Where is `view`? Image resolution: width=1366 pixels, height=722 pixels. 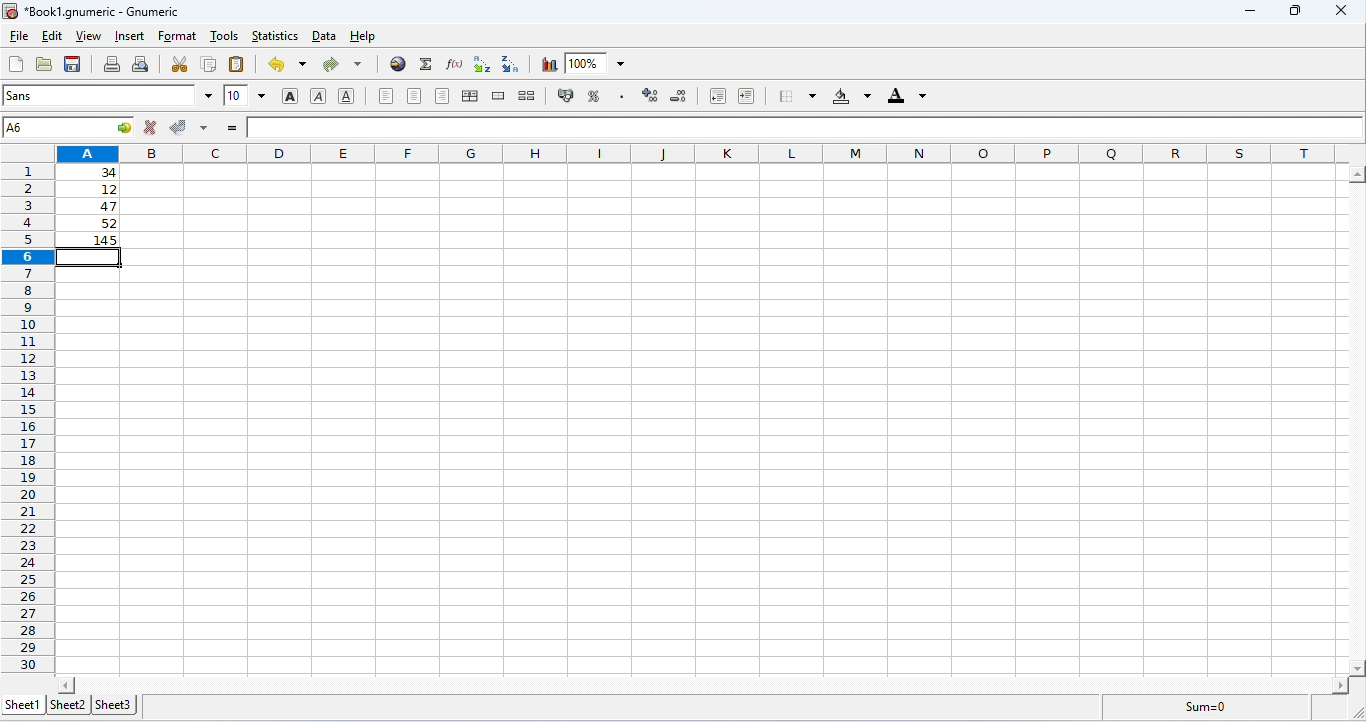
view is located at coordinates (89, 37).